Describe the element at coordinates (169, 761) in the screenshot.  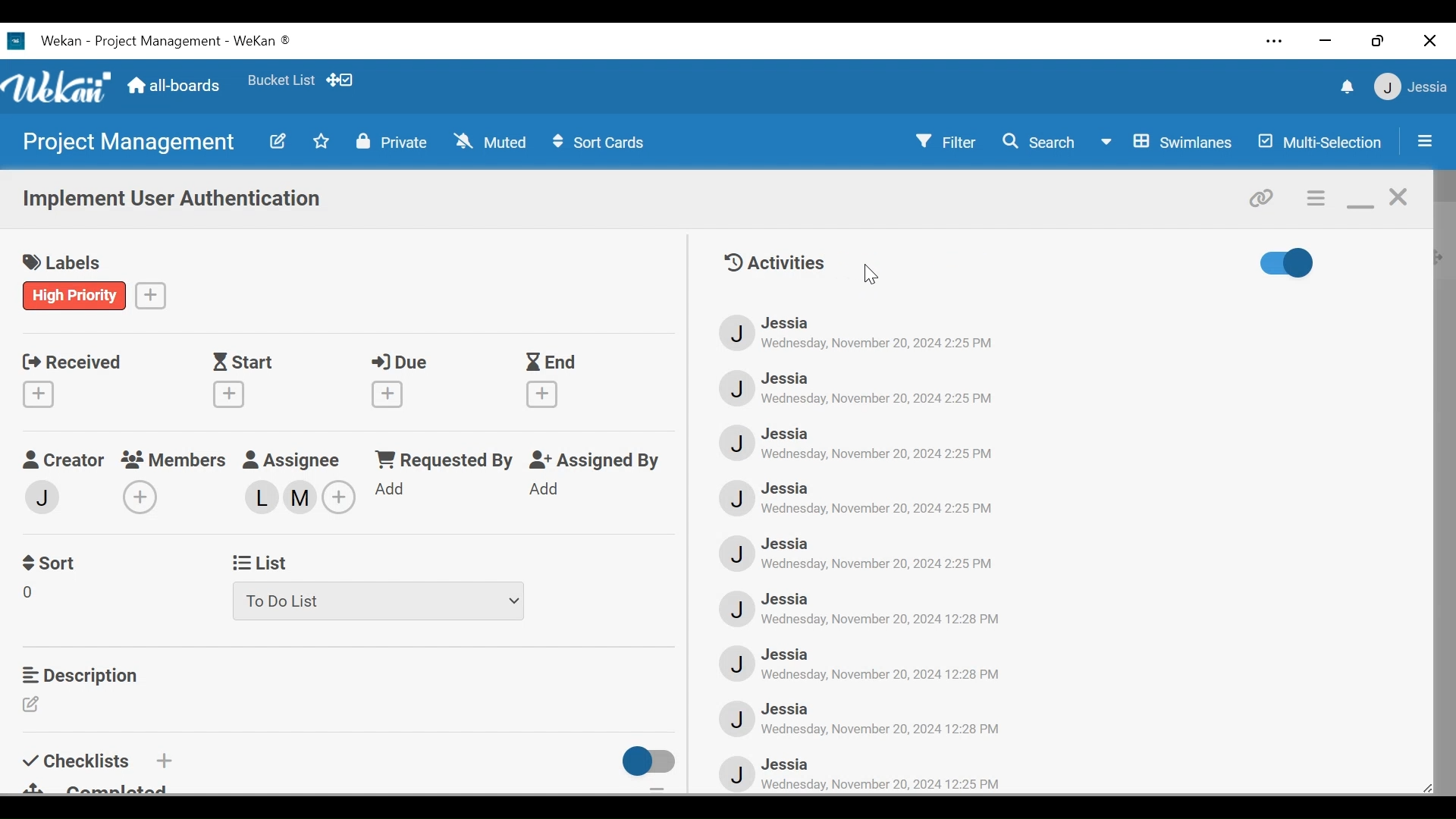
I see `Add` at that location.